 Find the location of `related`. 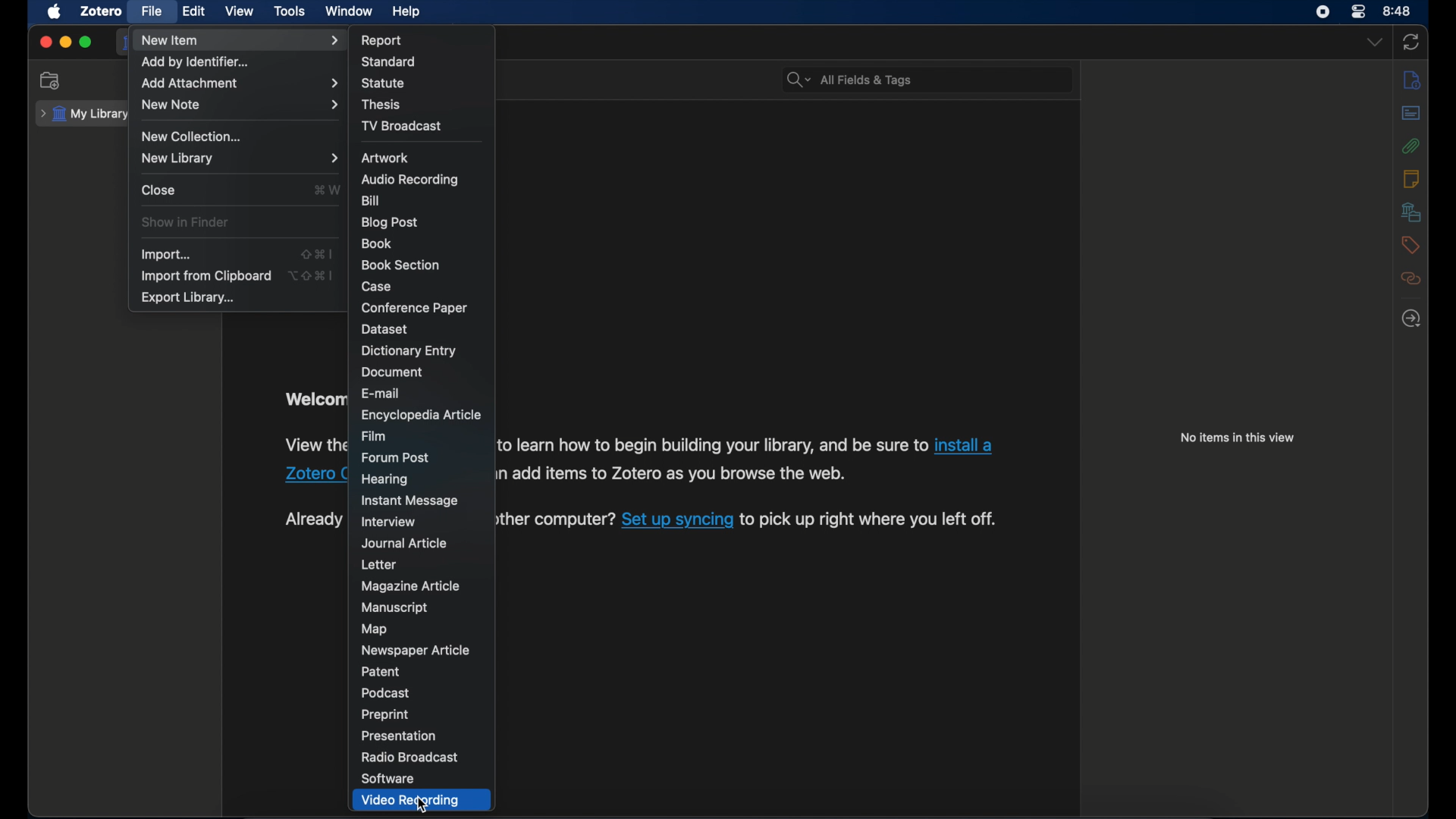

related is located at coordinates (1411, 279).